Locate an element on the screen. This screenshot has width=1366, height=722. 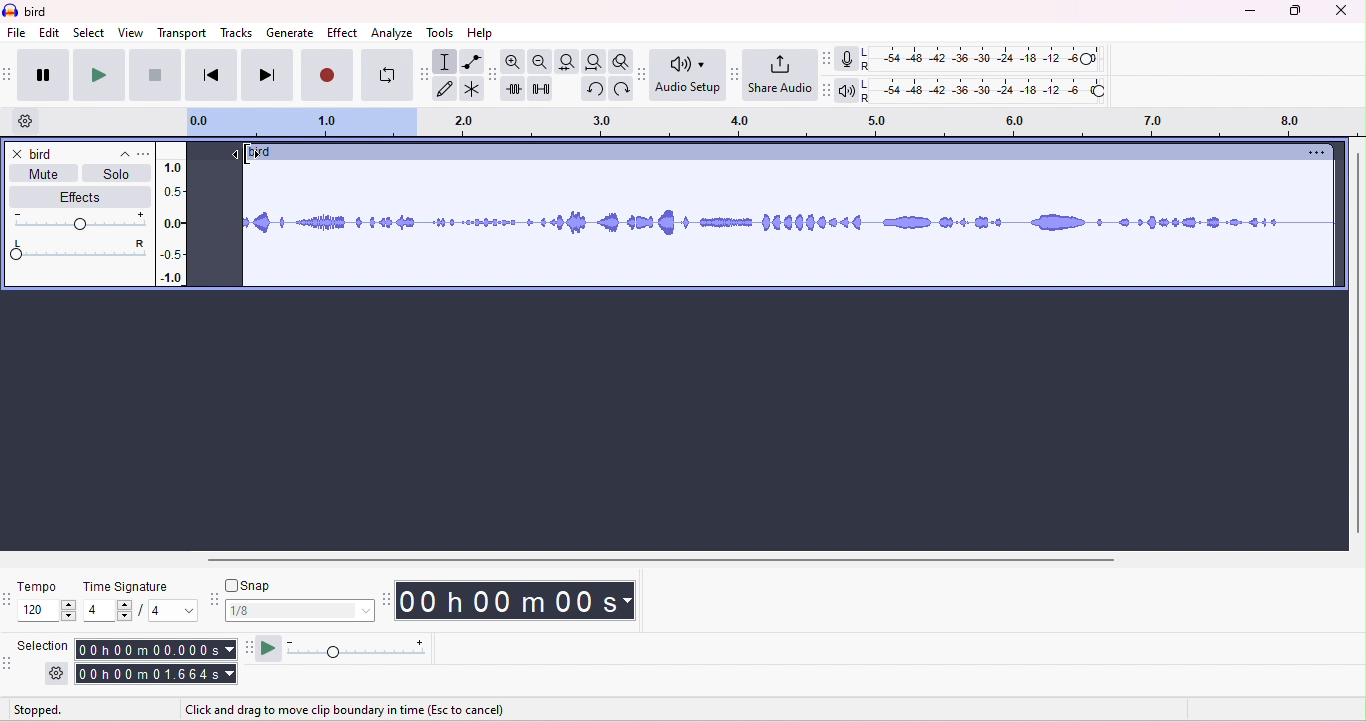
redo is located at coordinates (619, 90).